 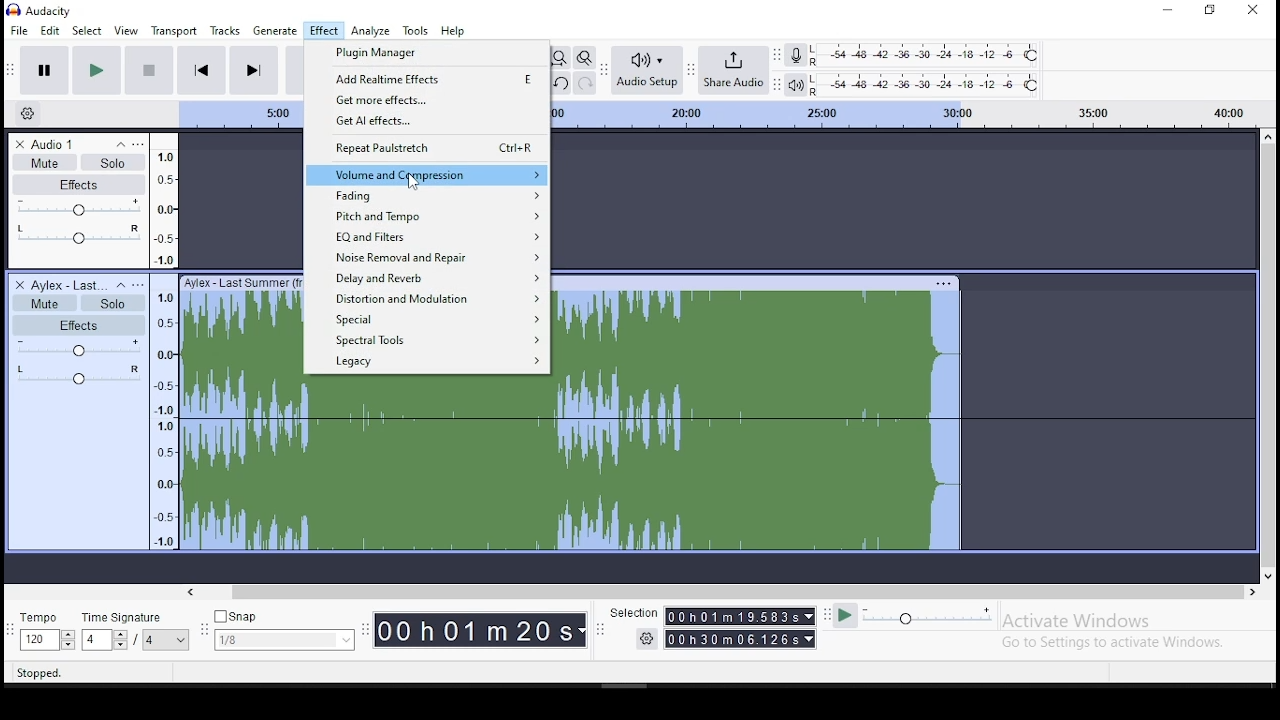 I want to click on skip to end, so click(x=254, y=69).